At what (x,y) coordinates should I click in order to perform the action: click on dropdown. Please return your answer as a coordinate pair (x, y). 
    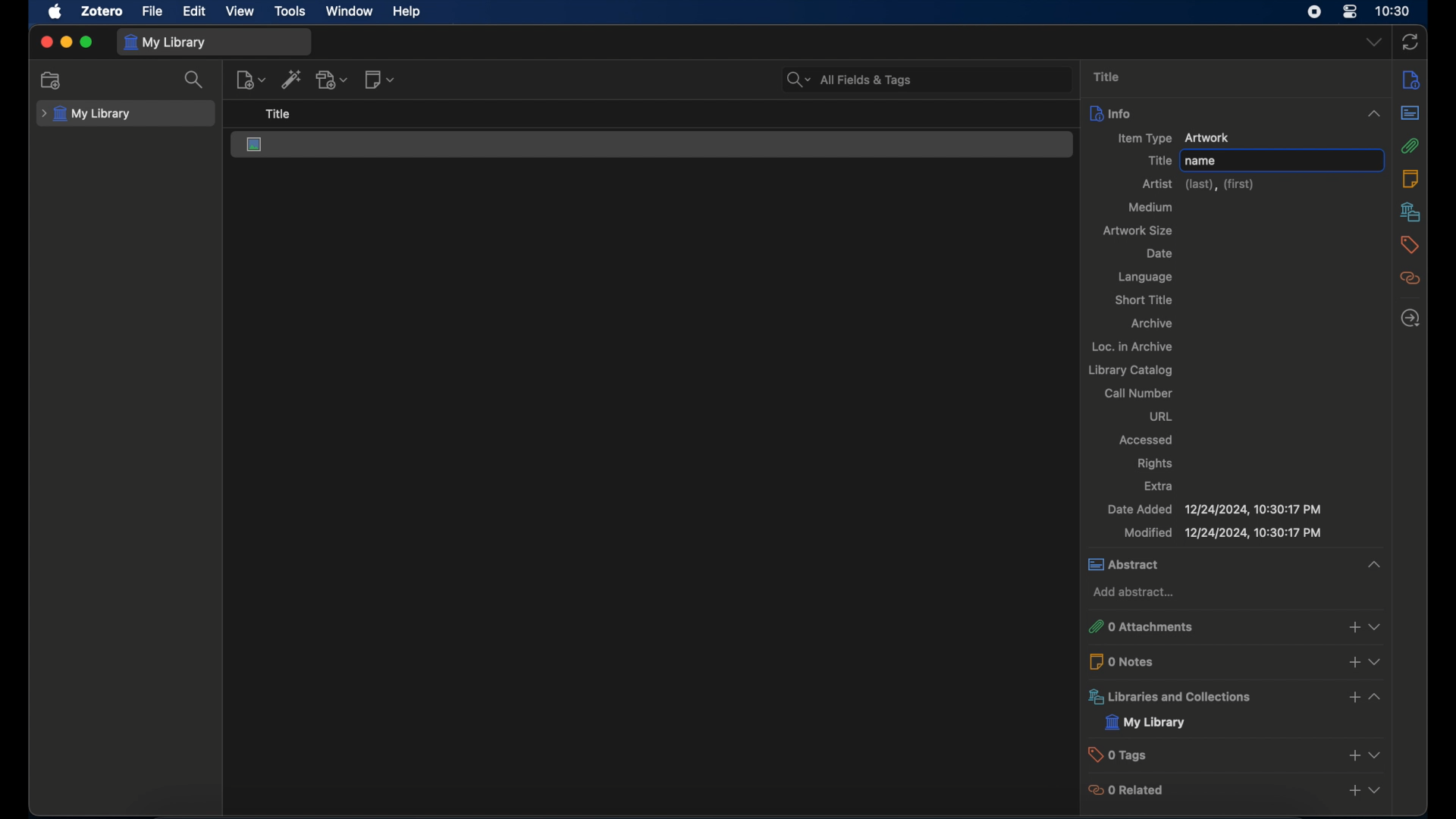
    Looking at the image, I should click on (1374, 42).